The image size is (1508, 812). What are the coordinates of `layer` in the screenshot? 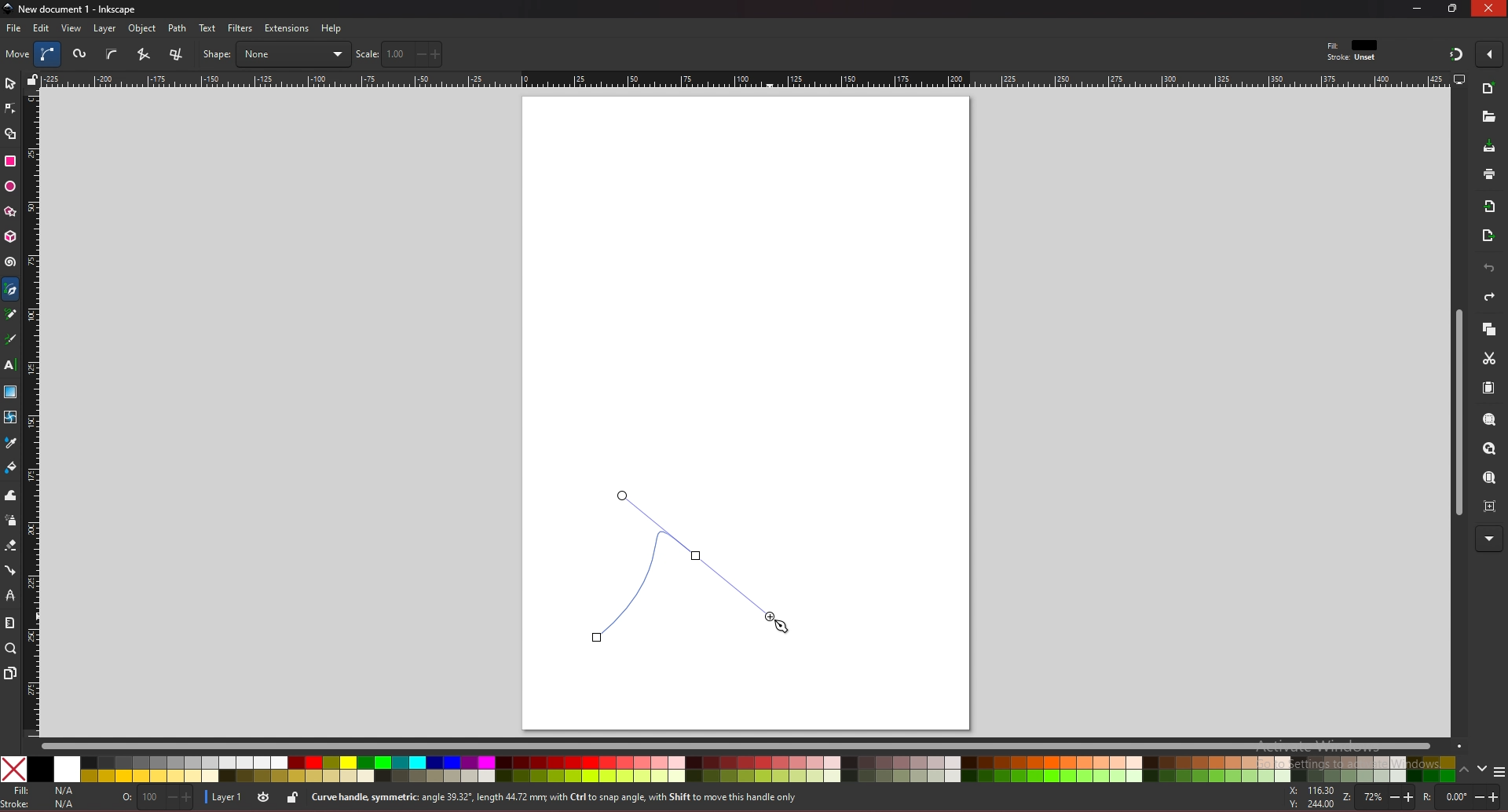 It's located at (222, 798).